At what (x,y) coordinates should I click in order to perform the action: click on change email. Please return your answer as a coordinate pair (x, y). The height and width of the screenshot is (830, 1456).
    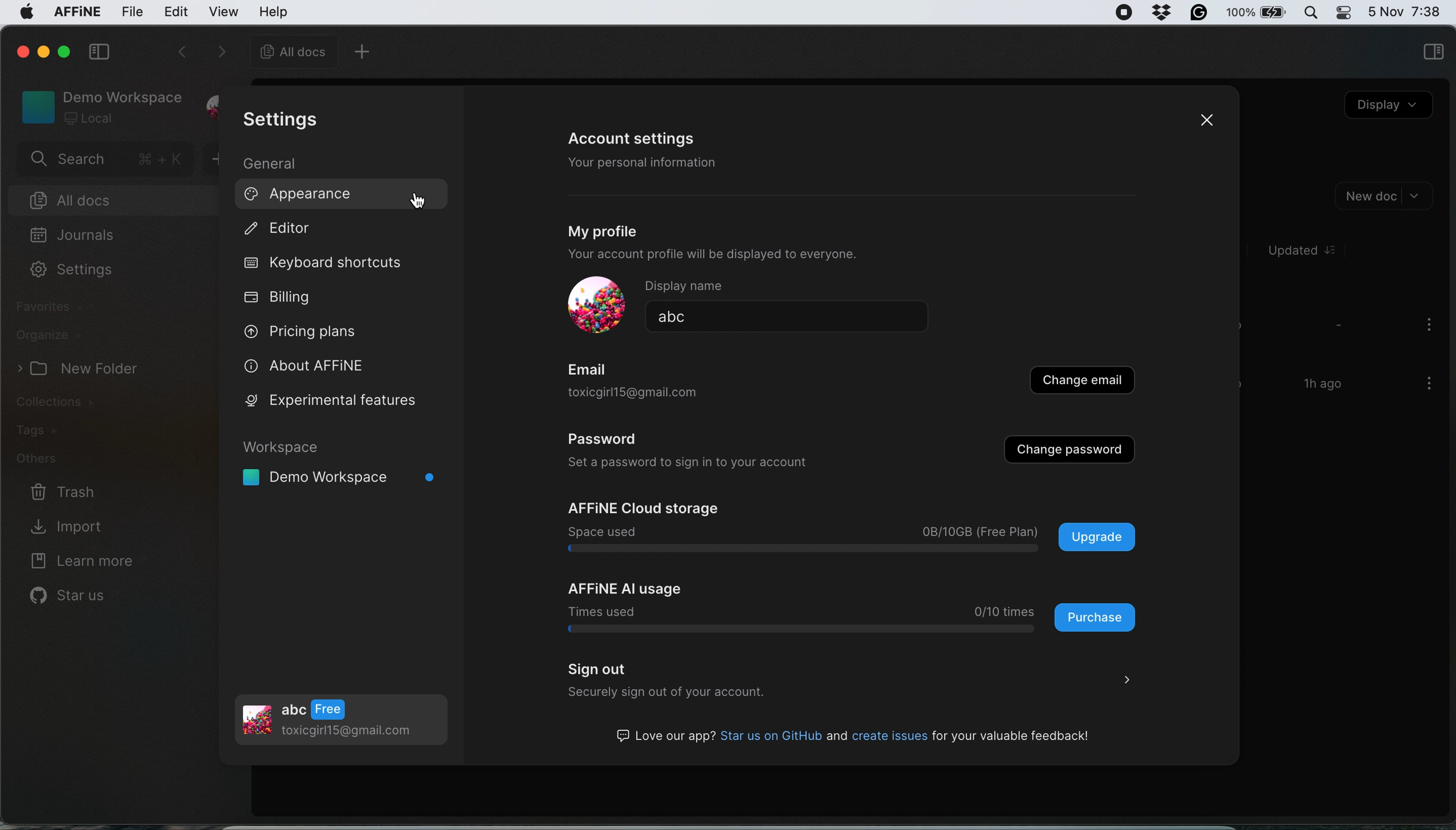
    Looking at the image, I should click on (1080, 380).